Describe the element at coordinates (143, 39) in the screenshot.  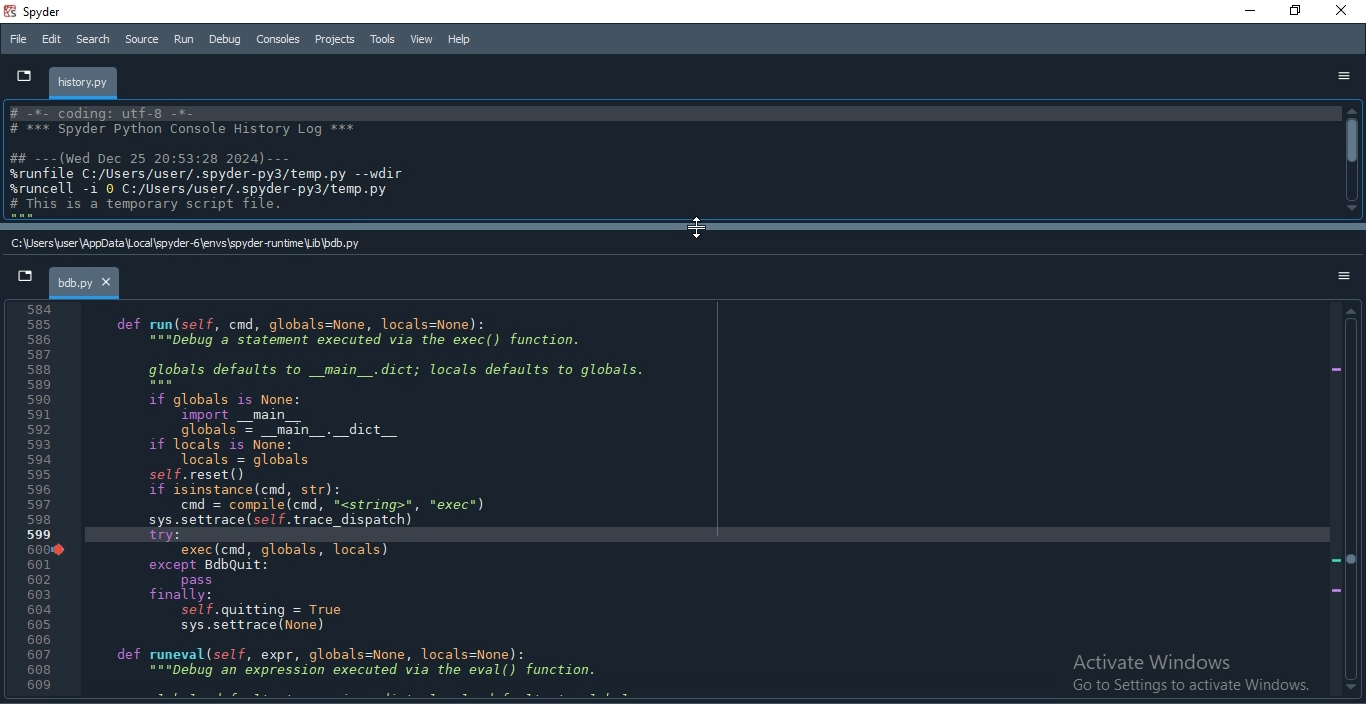
I see `Source` at that location.